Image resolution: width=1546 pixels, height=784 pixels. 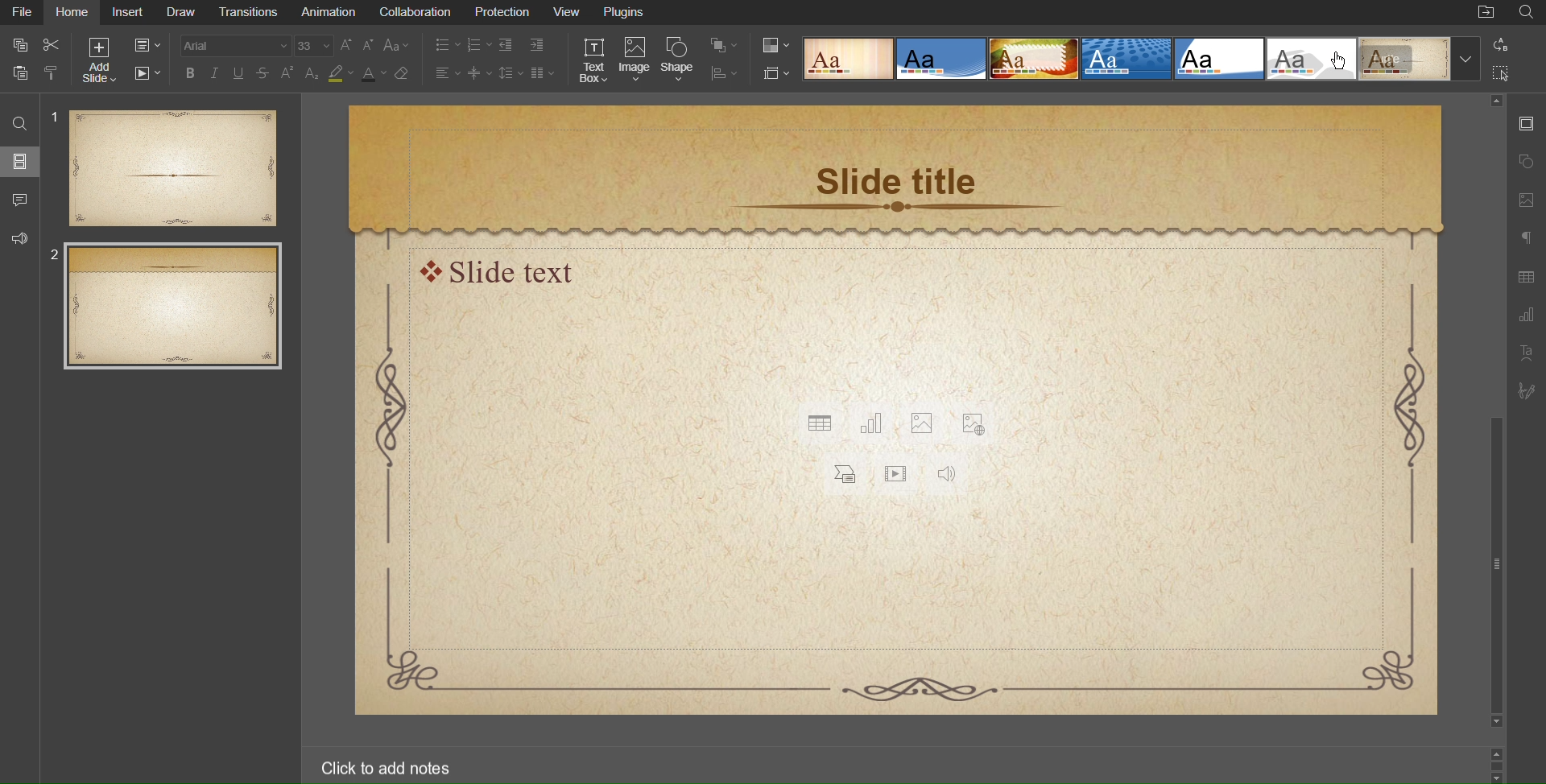 I want to click on paste, so click(x=19, y=73).